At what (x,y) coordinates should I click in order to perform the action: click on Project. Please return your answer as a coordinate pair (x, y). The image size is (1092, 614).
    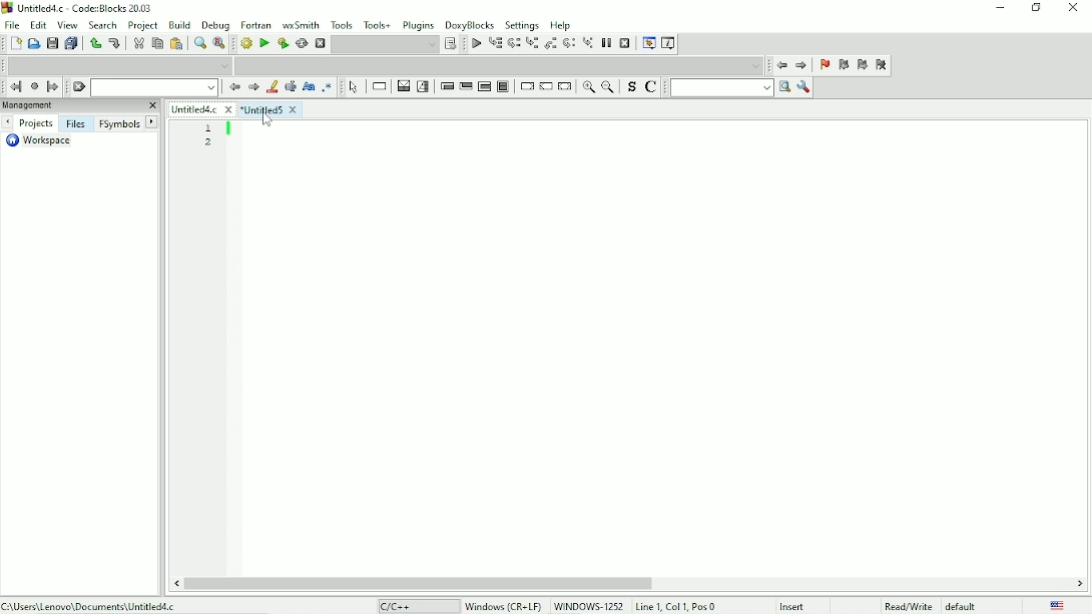
    Looking at the image, I should click on (143, 26).